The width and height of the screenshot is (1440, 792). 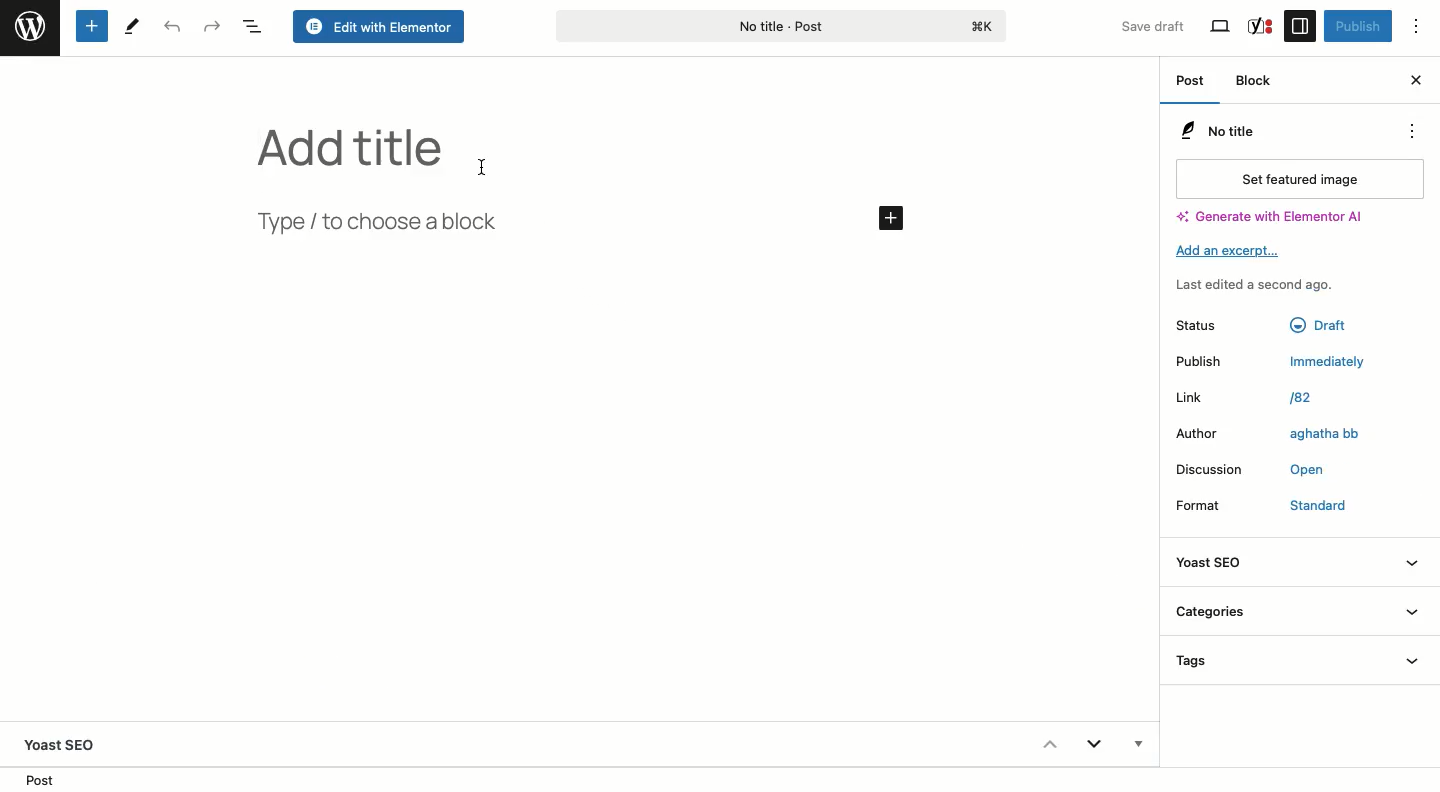 I want to click on Categories, so click(x=1299, y=609).